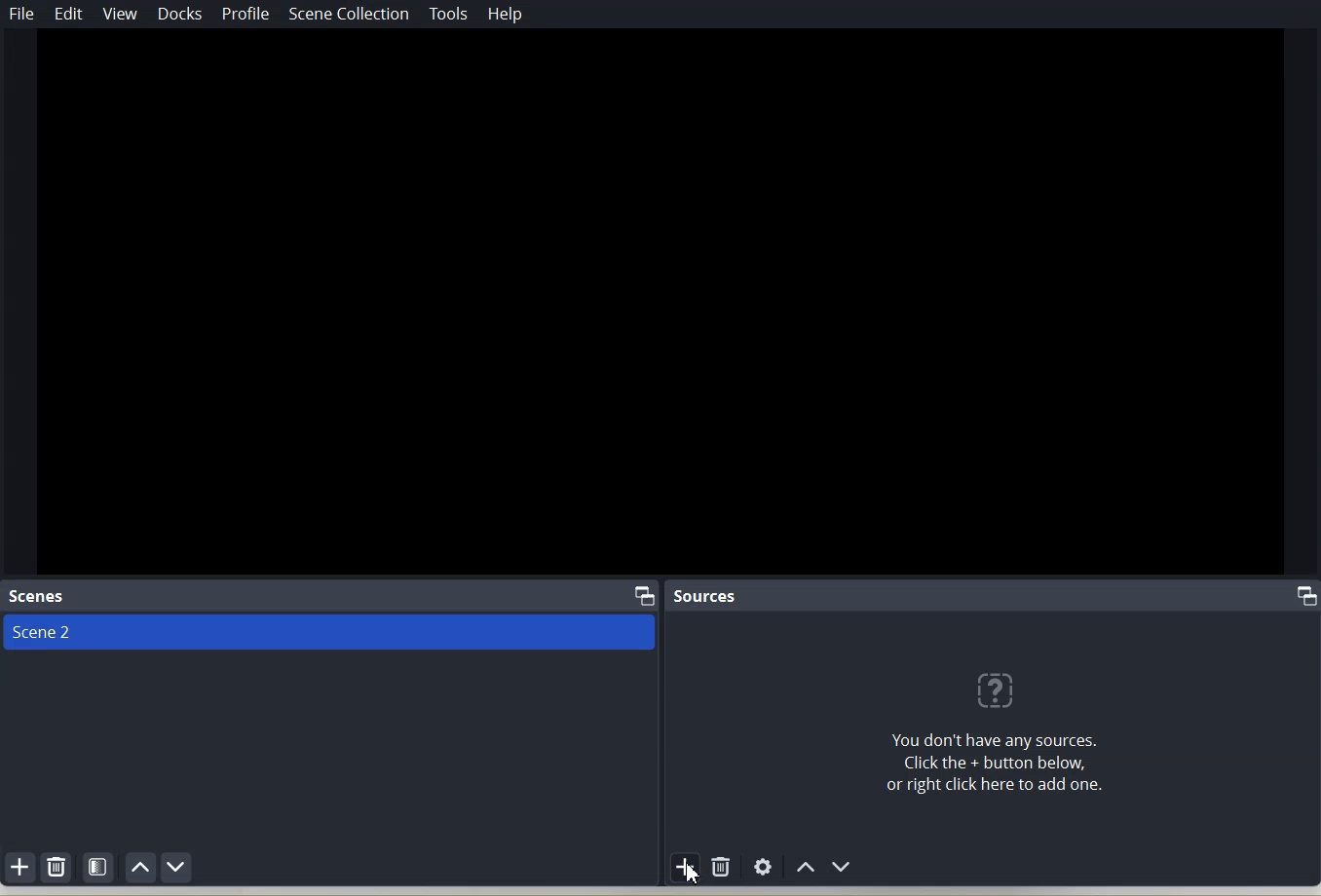  I want to click on Maximize, so click(646, 595).